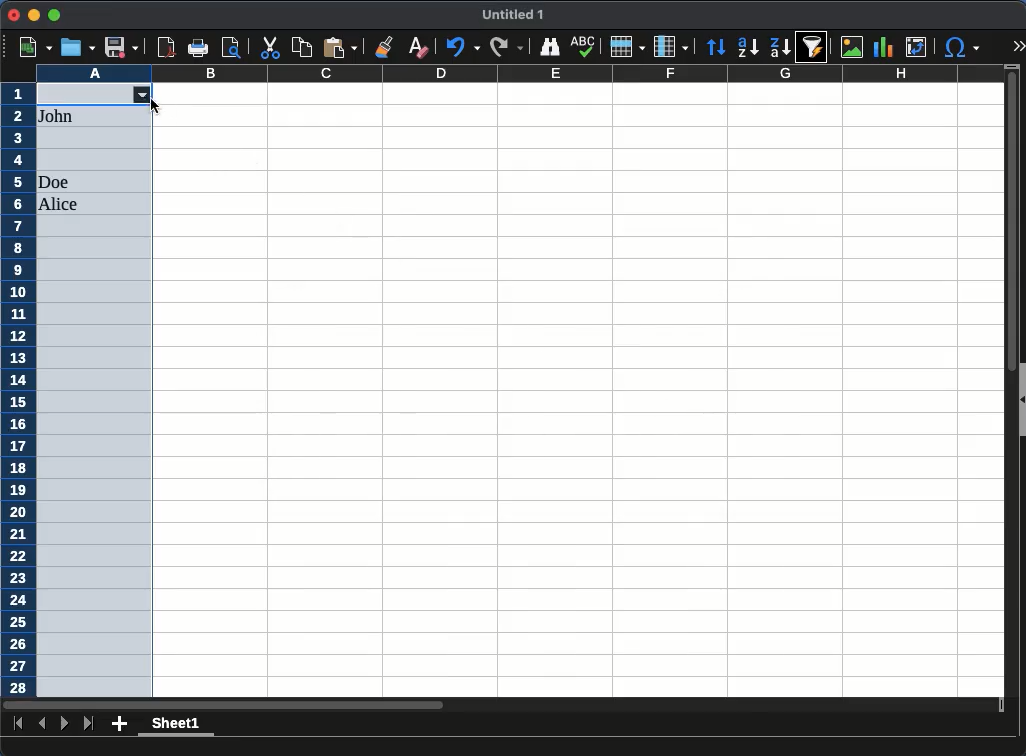 This screenshot has width=1026, height=756. I want to click on special character, so click(961, 49).